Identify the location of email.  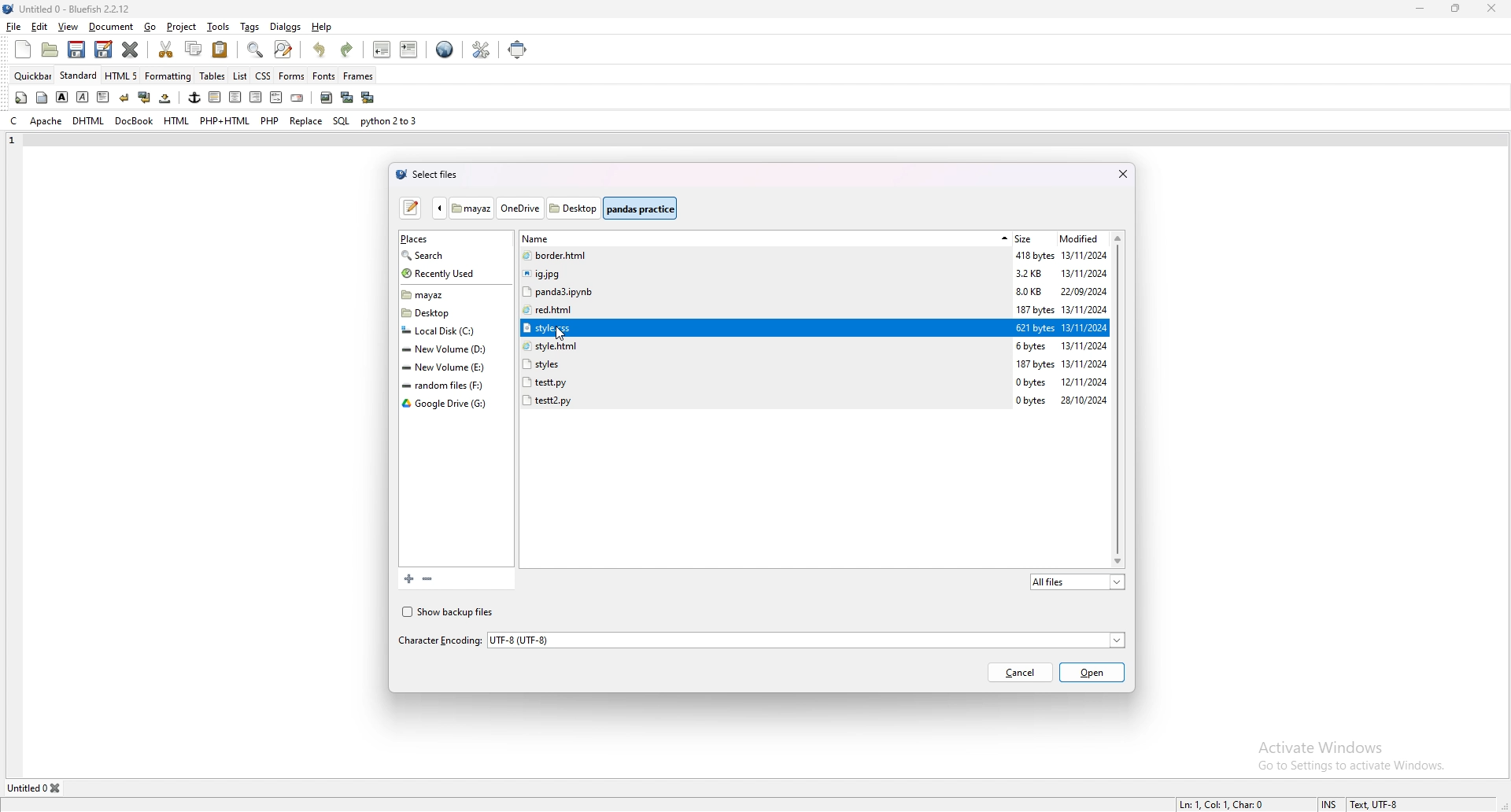
(298, 98).